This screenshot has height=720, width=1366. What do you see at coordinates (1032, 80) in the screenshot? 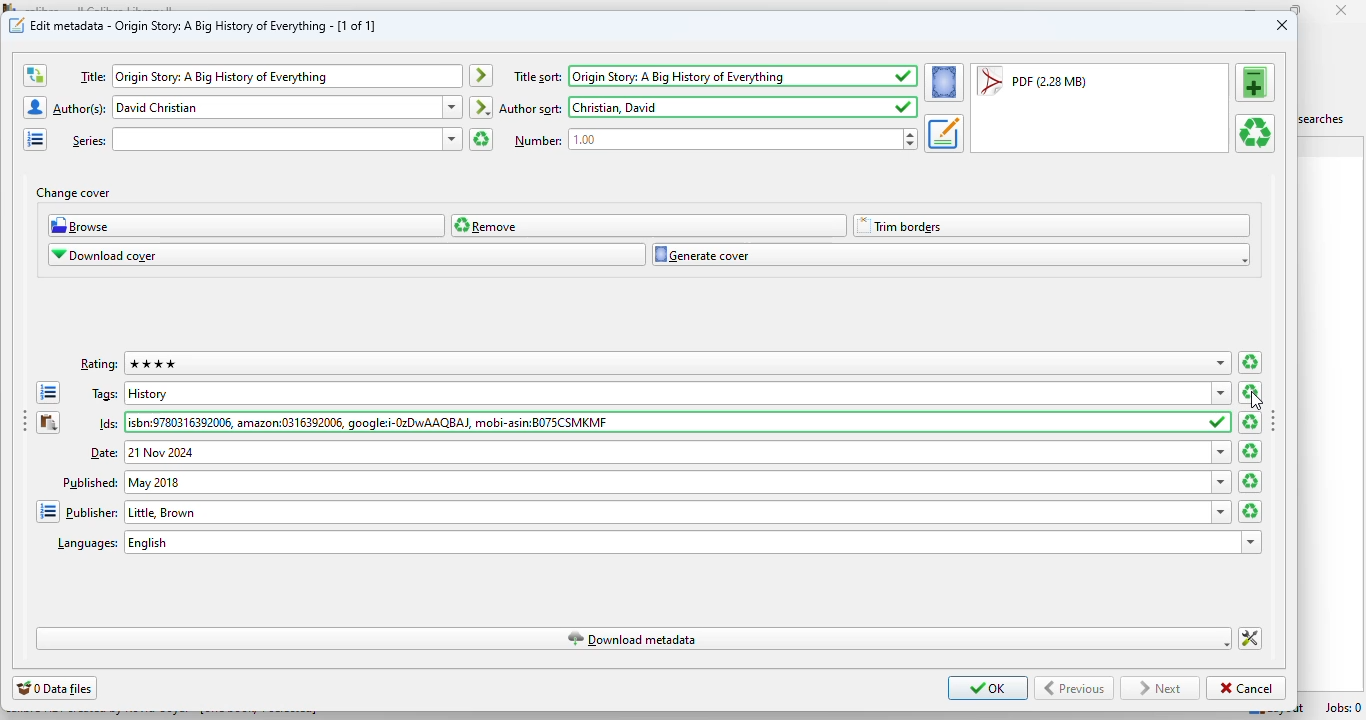
I see `PDF (2.28 MB)` at bounding box center [1032, 80].